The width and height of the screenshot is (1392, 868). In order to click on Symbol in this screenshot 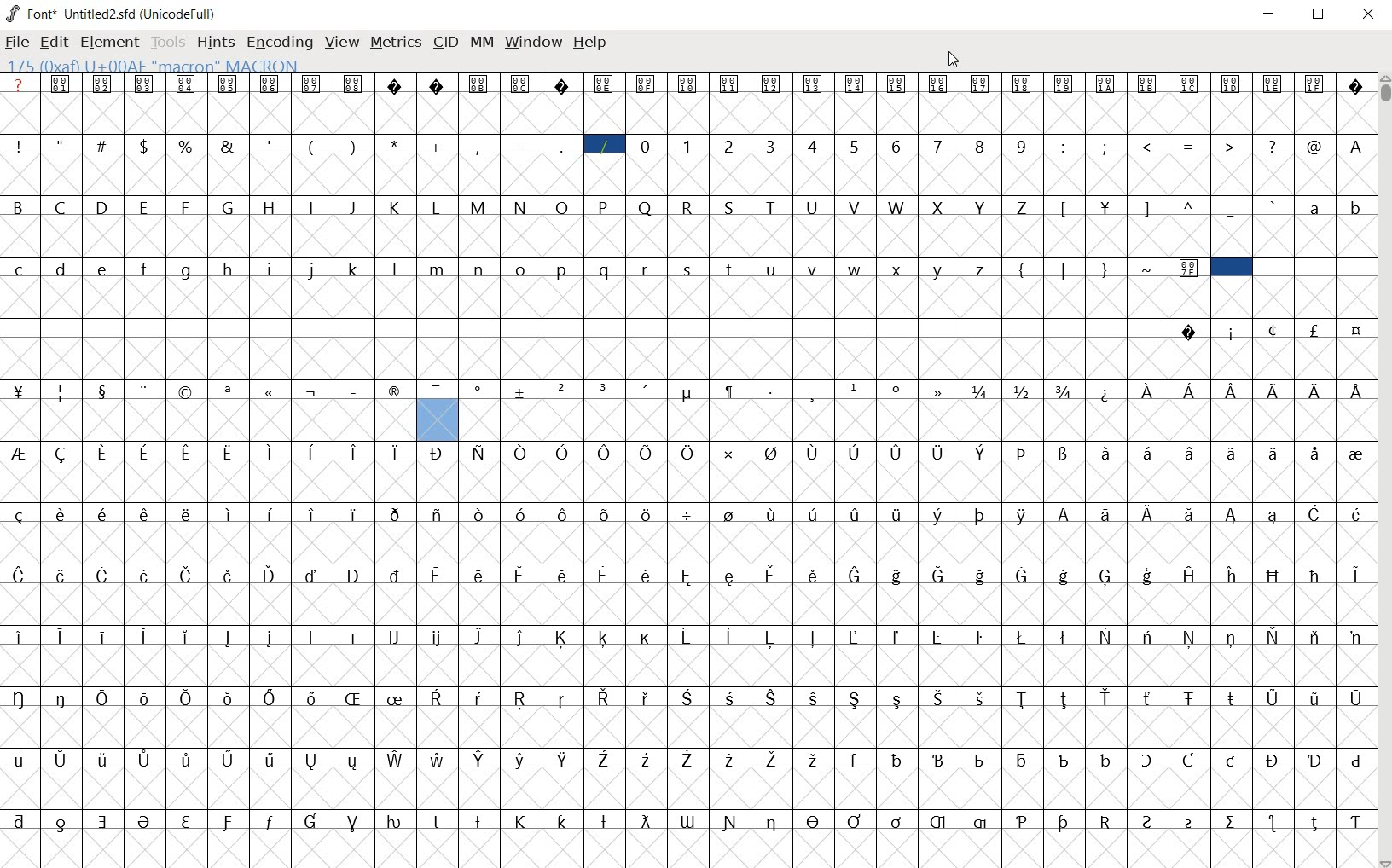, I will do `click(647, 513)`.